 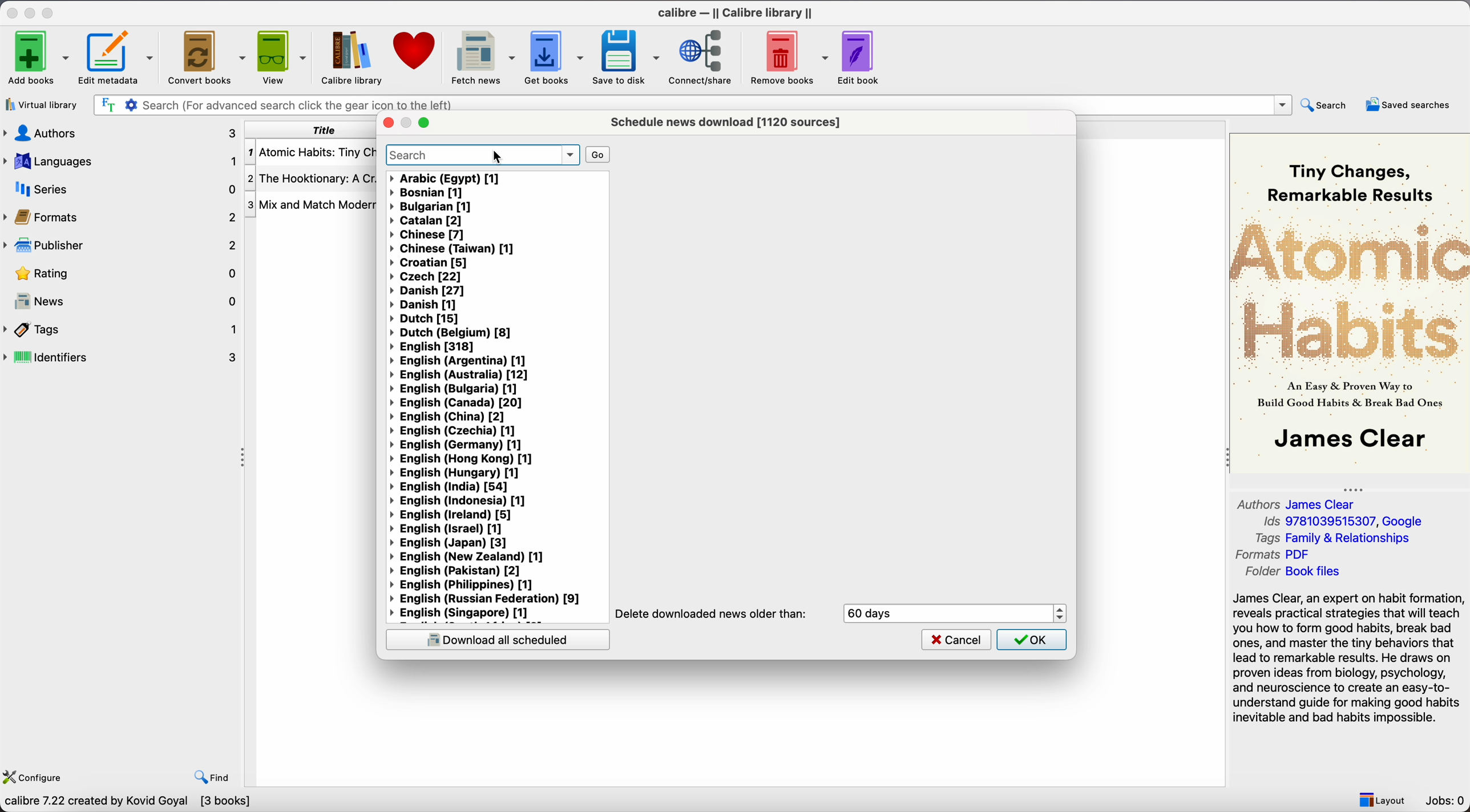 What do you see at coordinates (956, 639) in the screenshot?
I see `cancel` at bounding box center [956, 639].